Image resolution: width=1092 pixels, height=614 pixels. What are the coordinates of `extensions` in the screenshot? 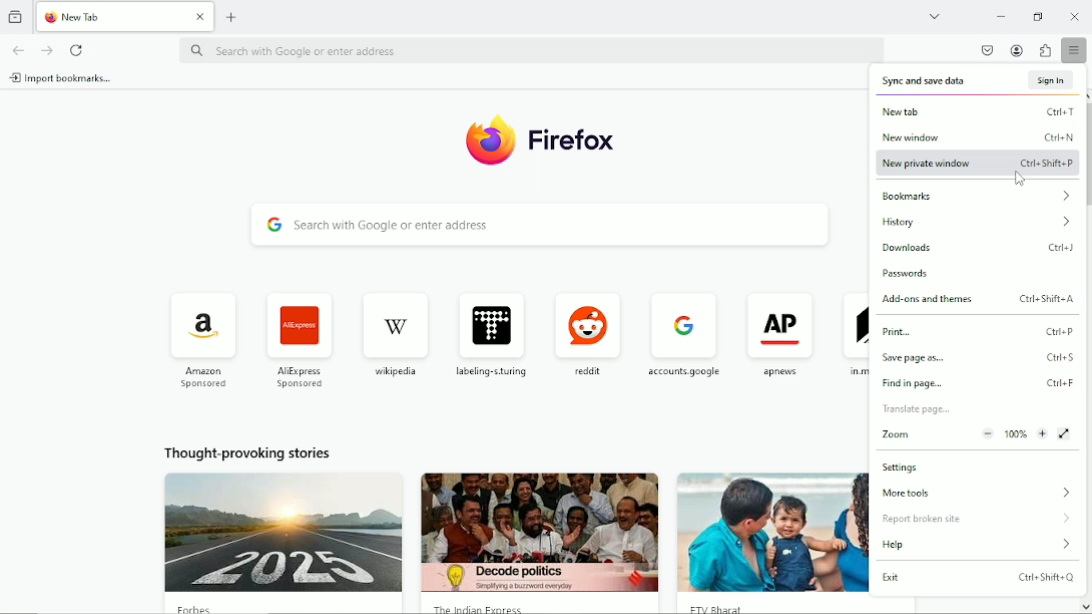 It's located at (1044, 50).